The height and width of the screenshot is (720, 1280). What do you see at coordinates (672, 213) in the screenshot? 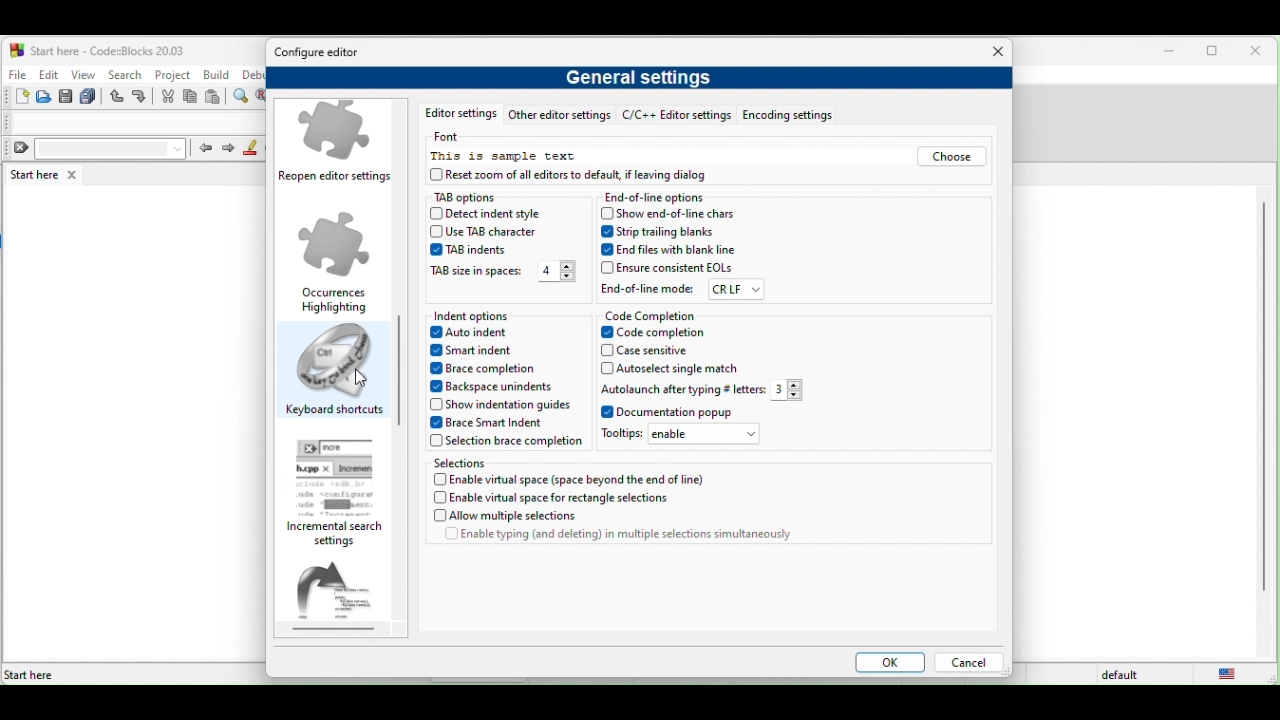
I see `show end of line chars` at bounding box center [672, 213].